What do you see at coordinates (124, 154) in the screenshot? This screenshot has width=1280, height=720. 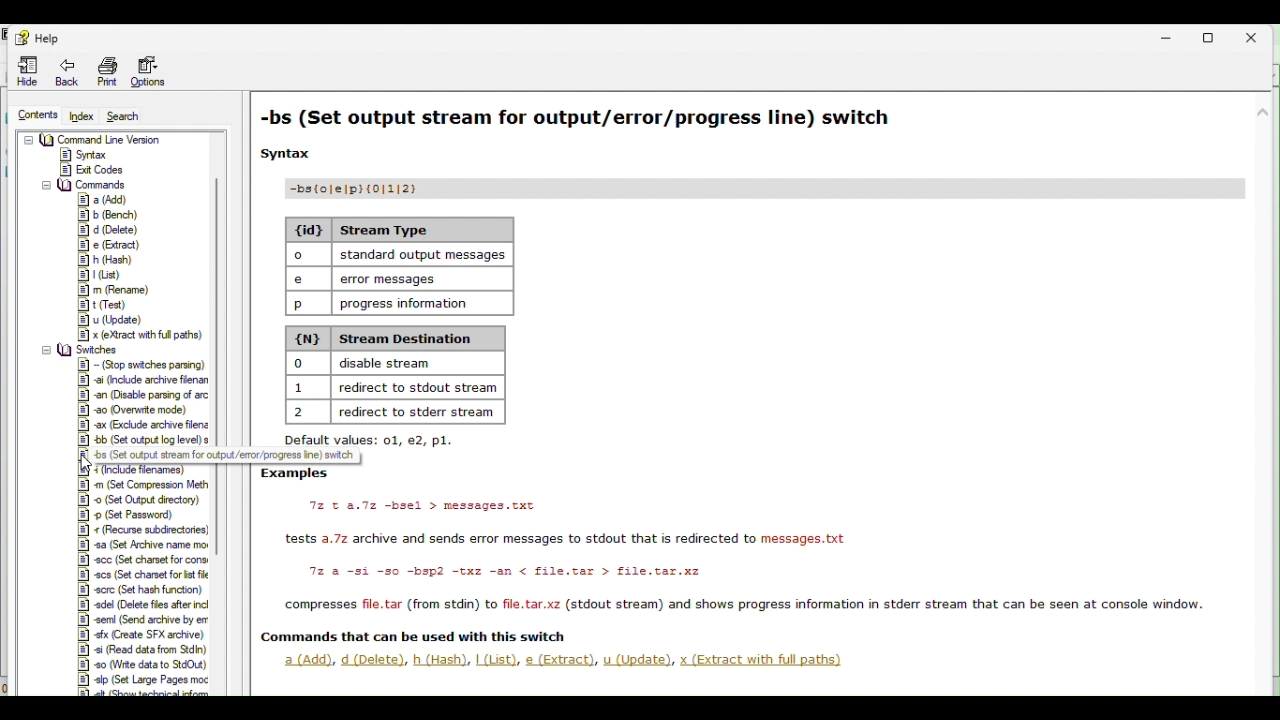 I see `Command Line Version` at bounding box center [124, 154].